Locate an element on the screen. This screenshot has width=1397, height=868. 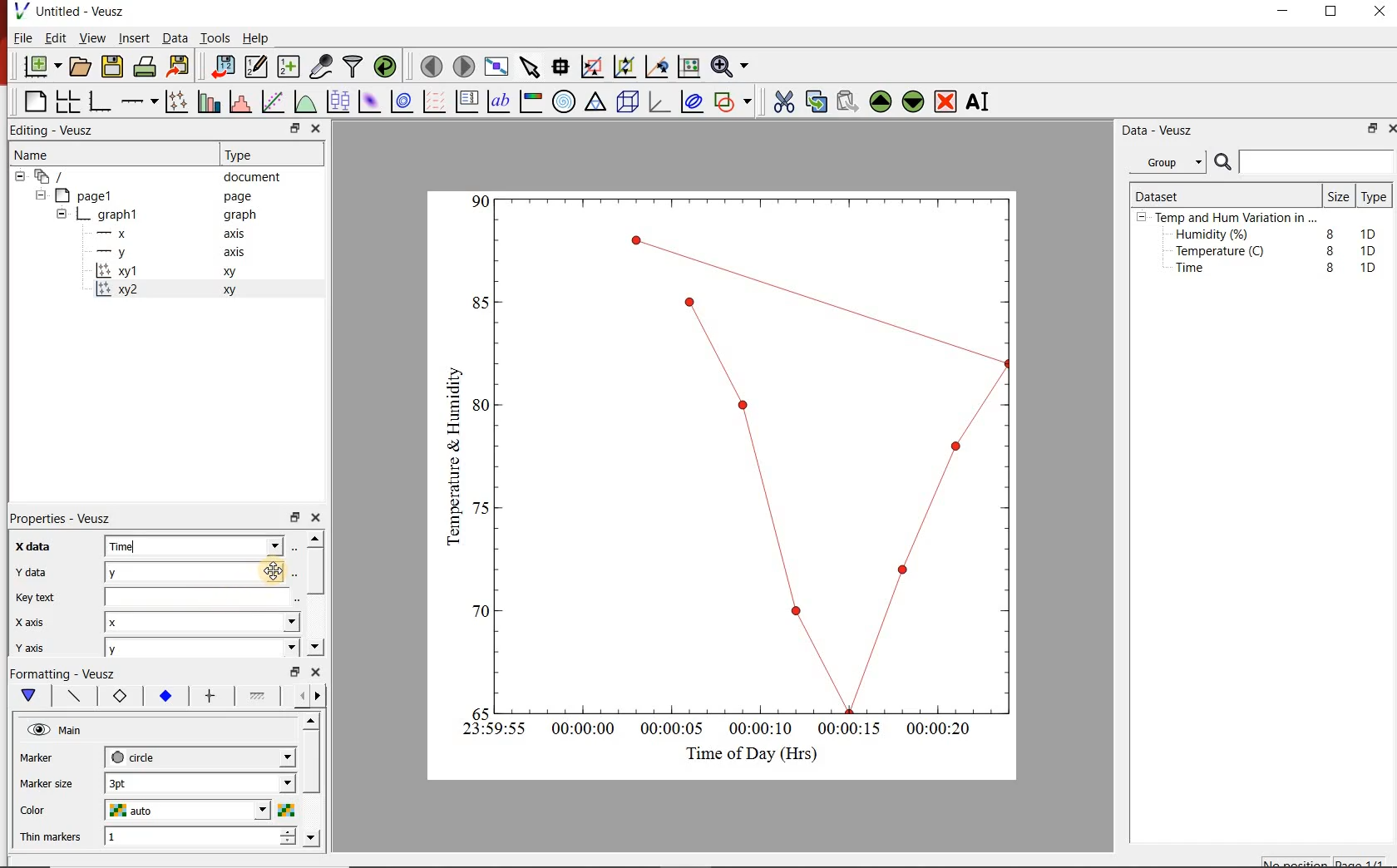
click to zoom out of graph axes is located at coordinates (625, 68).